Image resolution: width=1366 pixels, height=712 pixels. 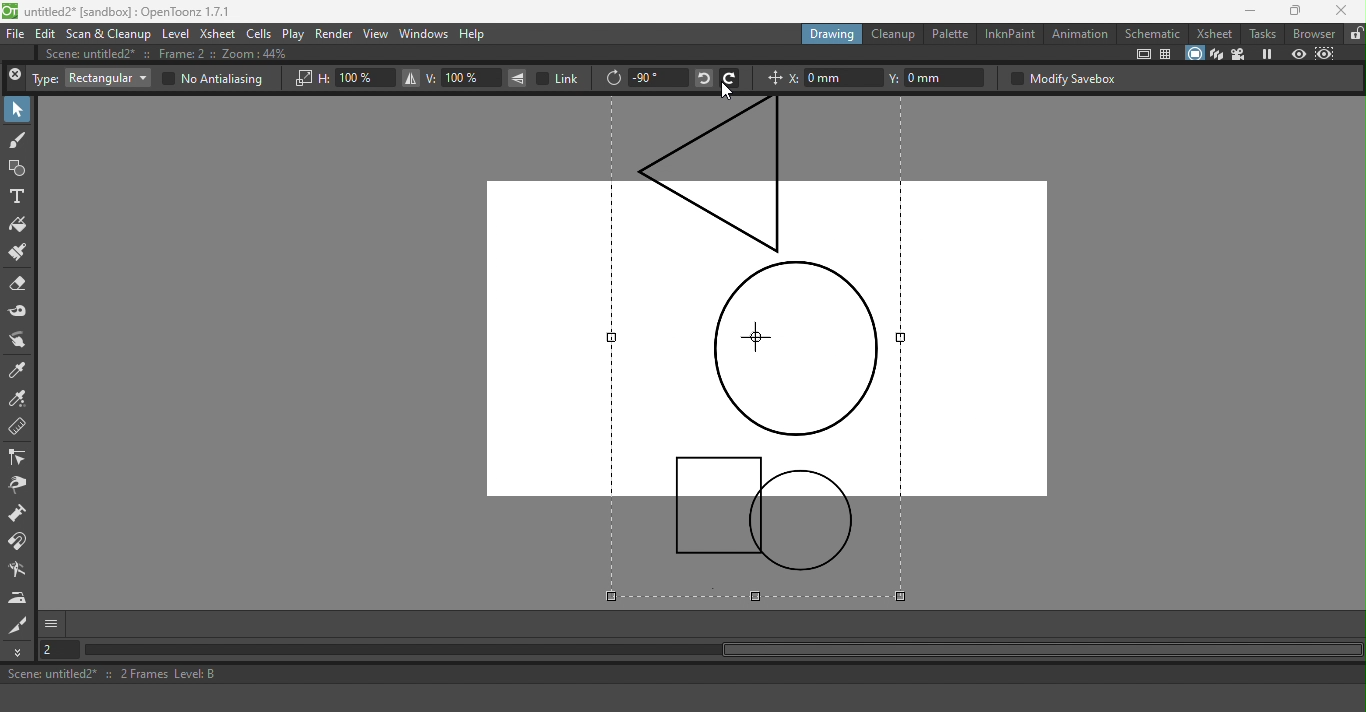 I want to click on Type, so click(x=45, y=79).